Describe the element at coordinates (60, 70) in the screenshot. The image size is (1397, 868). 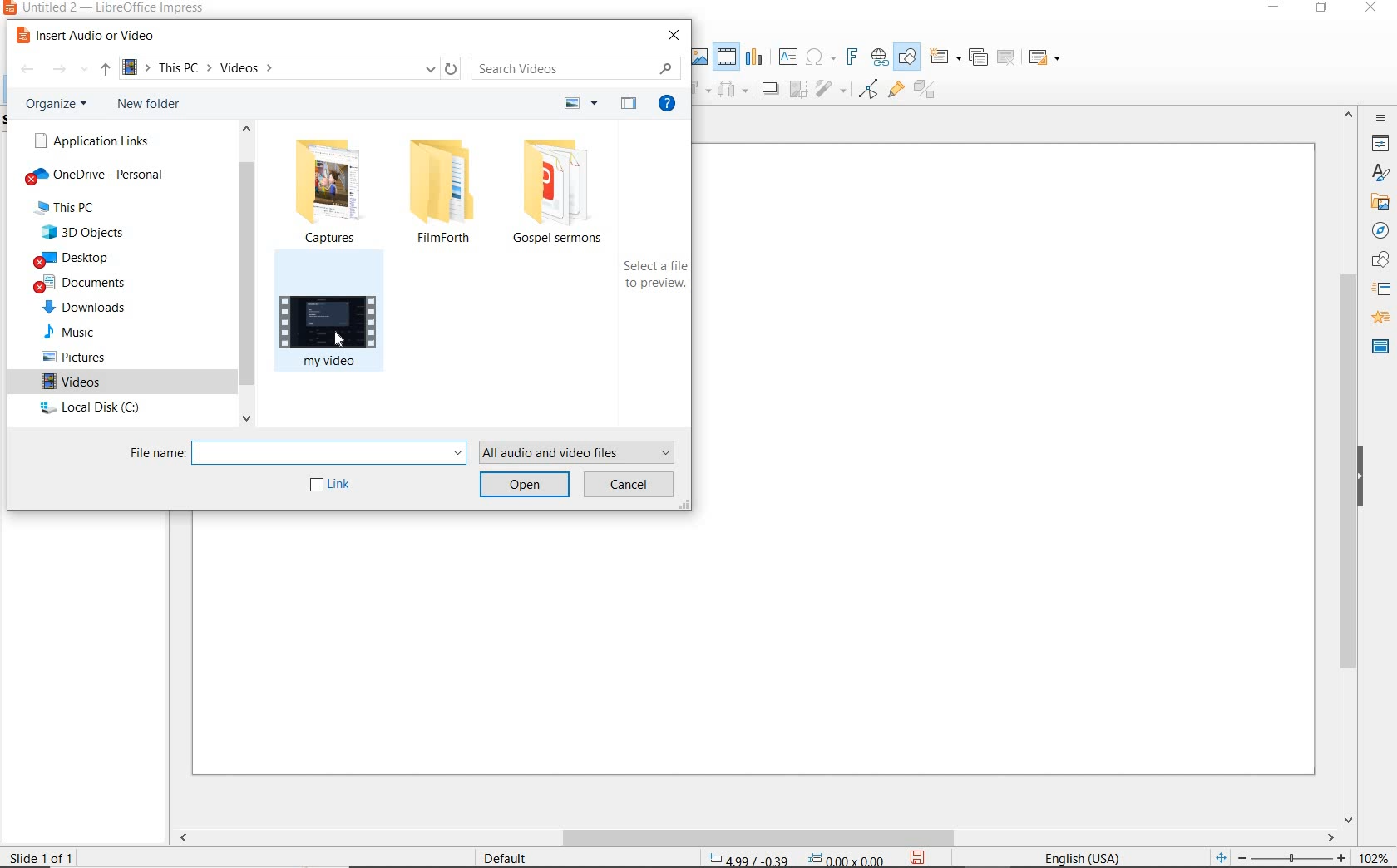
I see `FORWARD` at that location.